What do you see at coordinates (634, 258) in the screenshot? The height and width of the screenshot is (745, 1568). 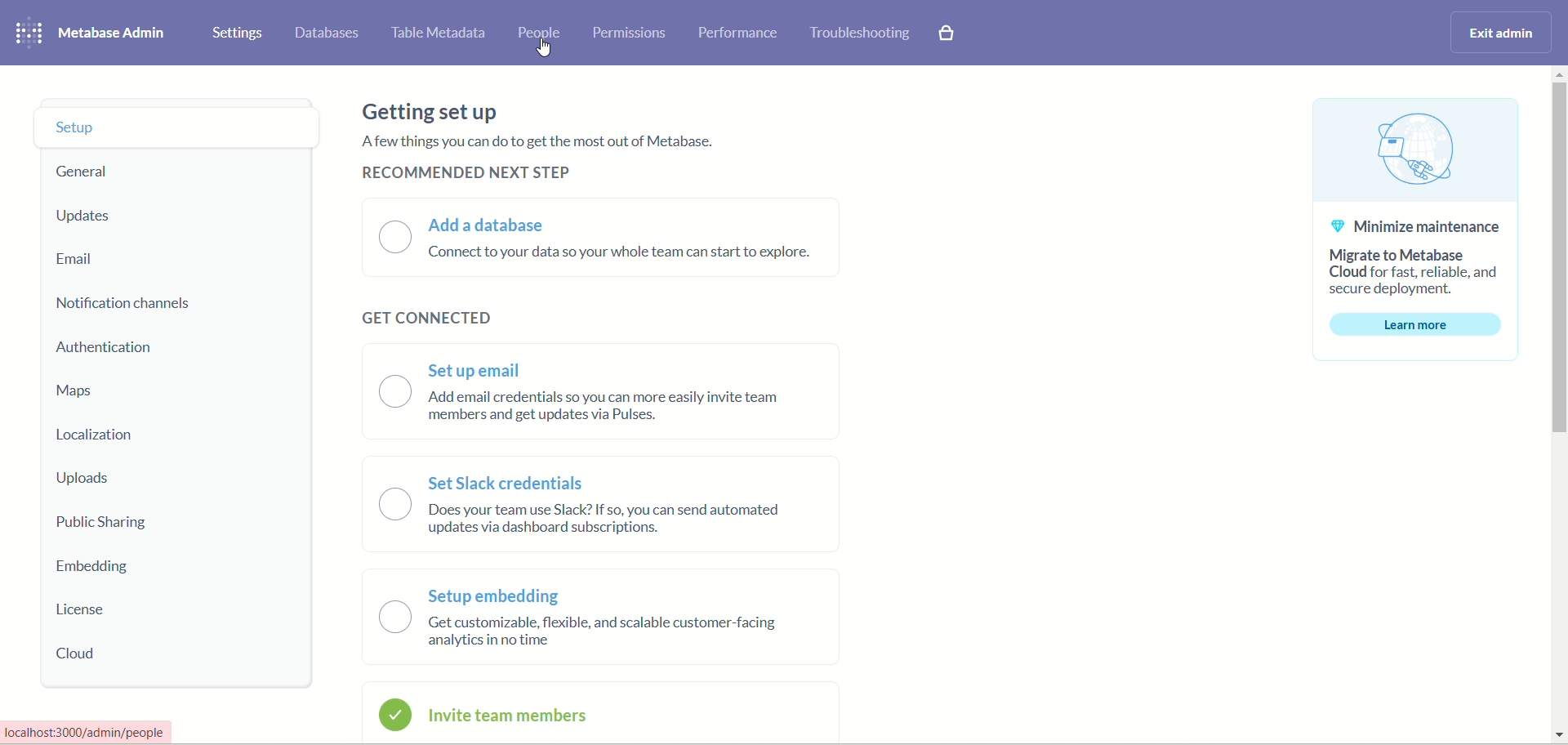 I see `text` at bounding box center [634, 258].